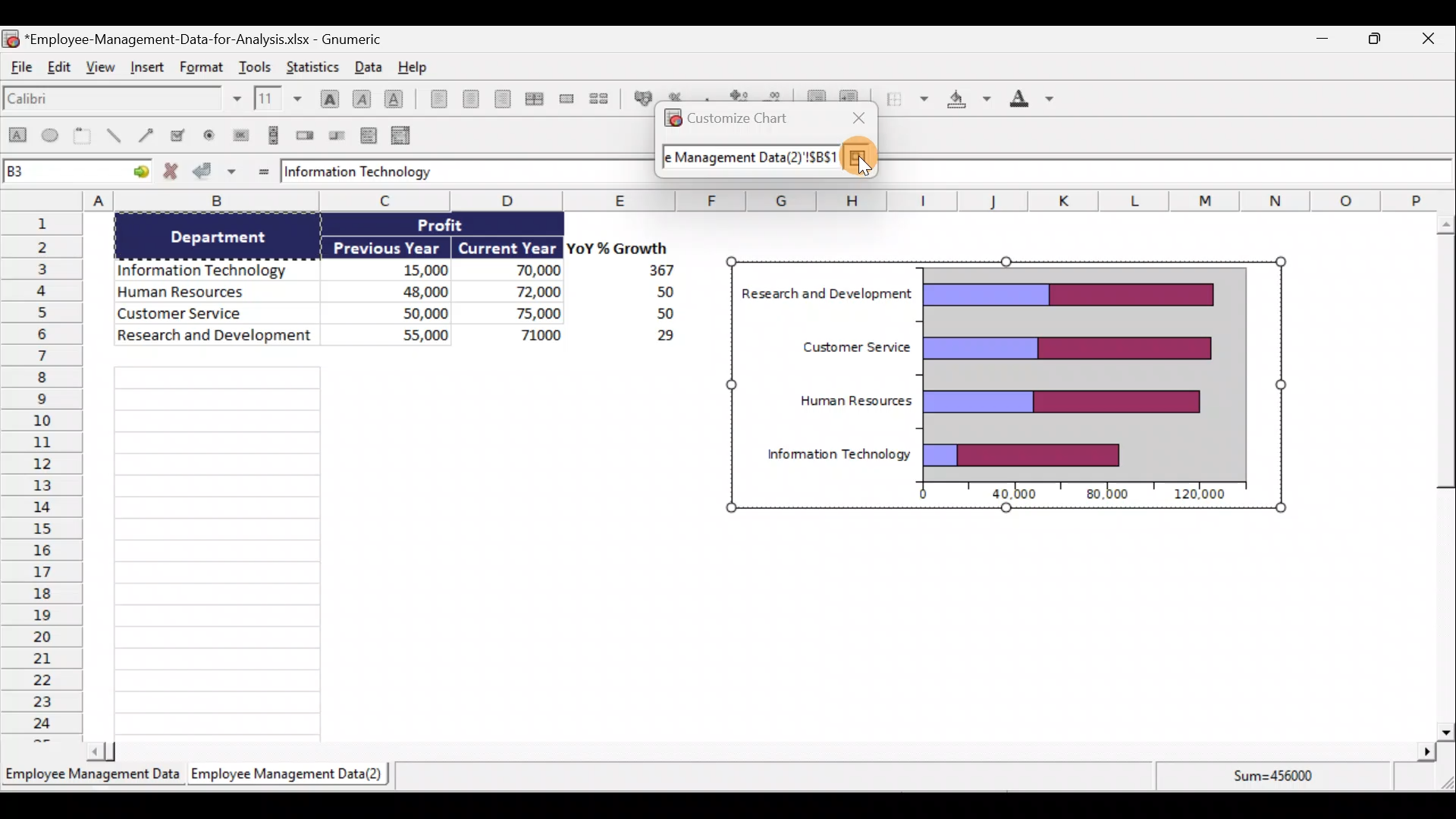 Image resolution: width=1456 pixels, height=819 pixels. Describe the element at coordinates (199, 68) in the screenshot. I see `Format` at that location.